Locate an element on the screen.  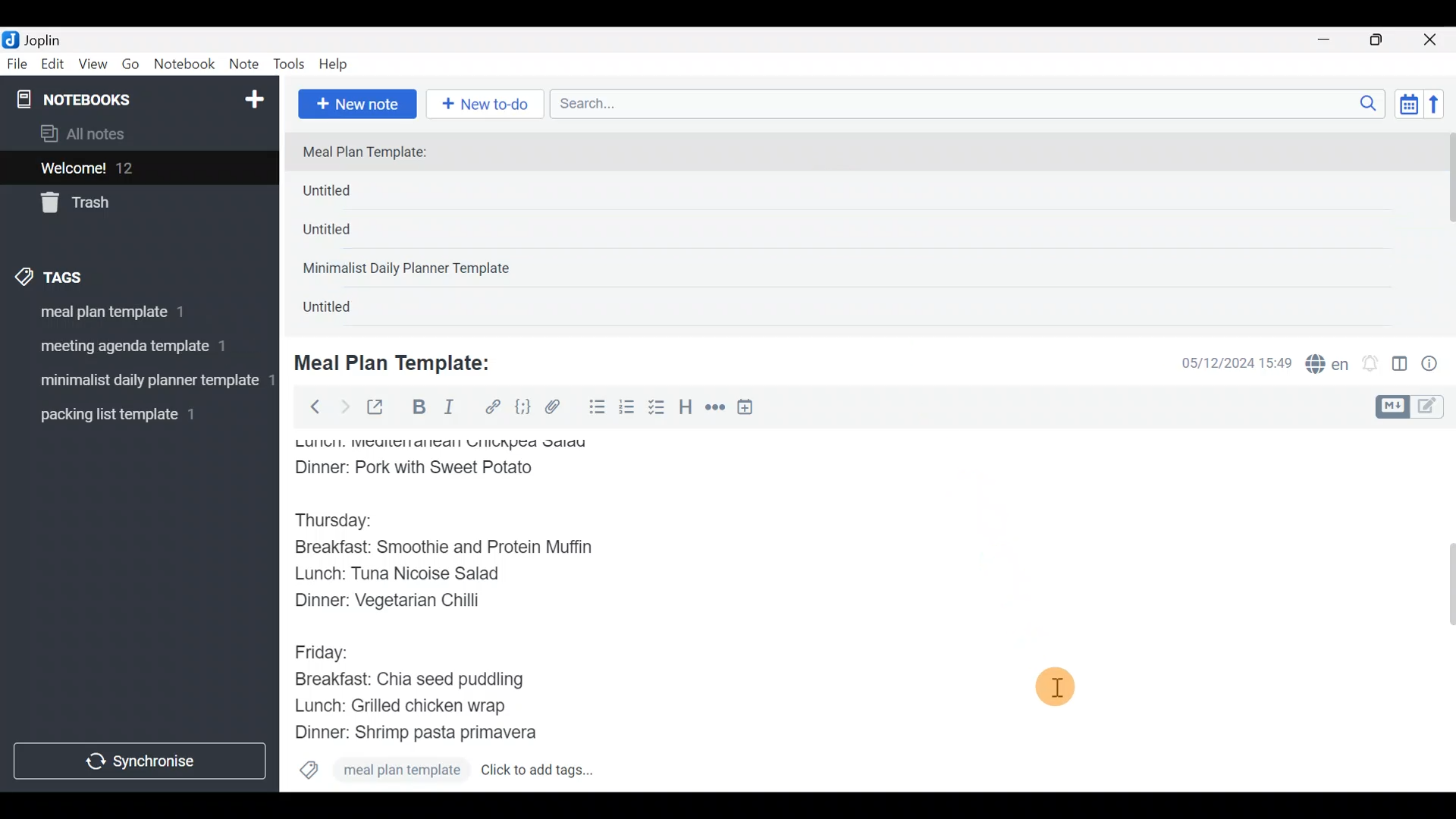
Meal Plan Template is located at coordinates (381, 772).